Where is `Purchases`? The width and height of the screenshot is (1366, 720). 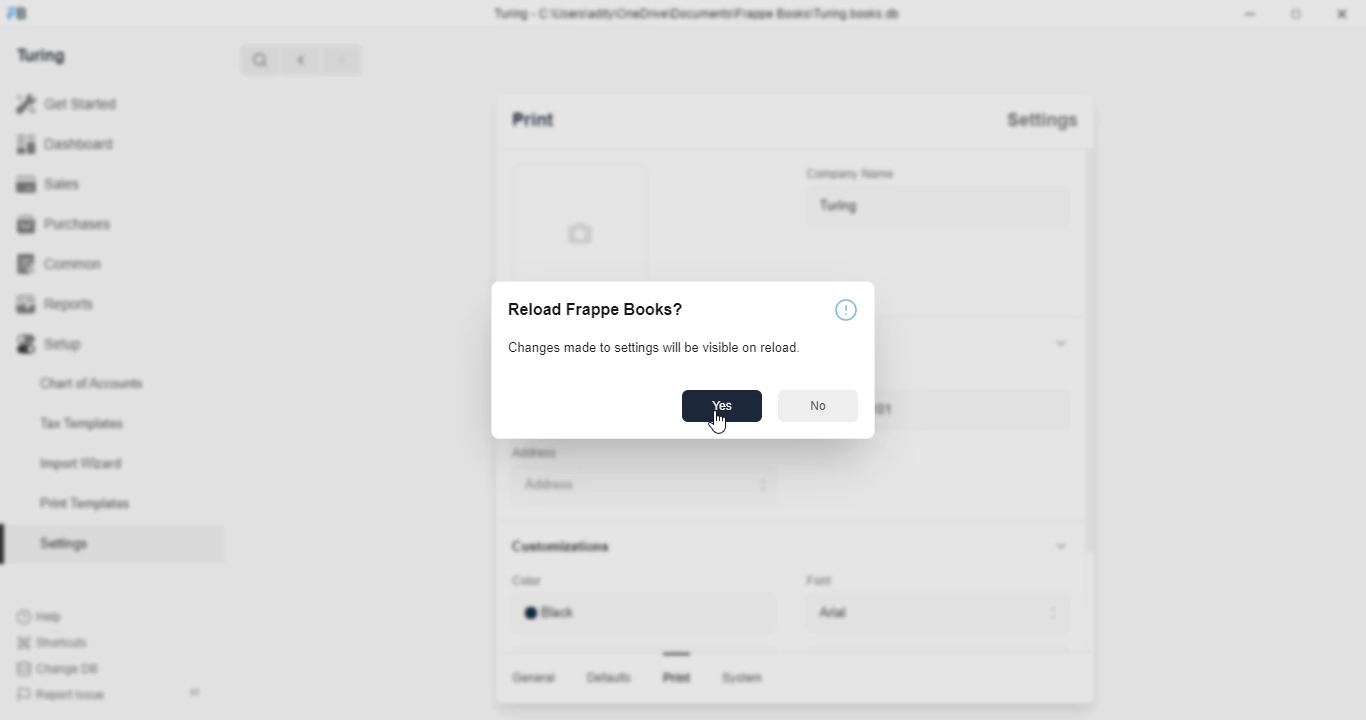 Purchases is located at coordinates (99, 223).